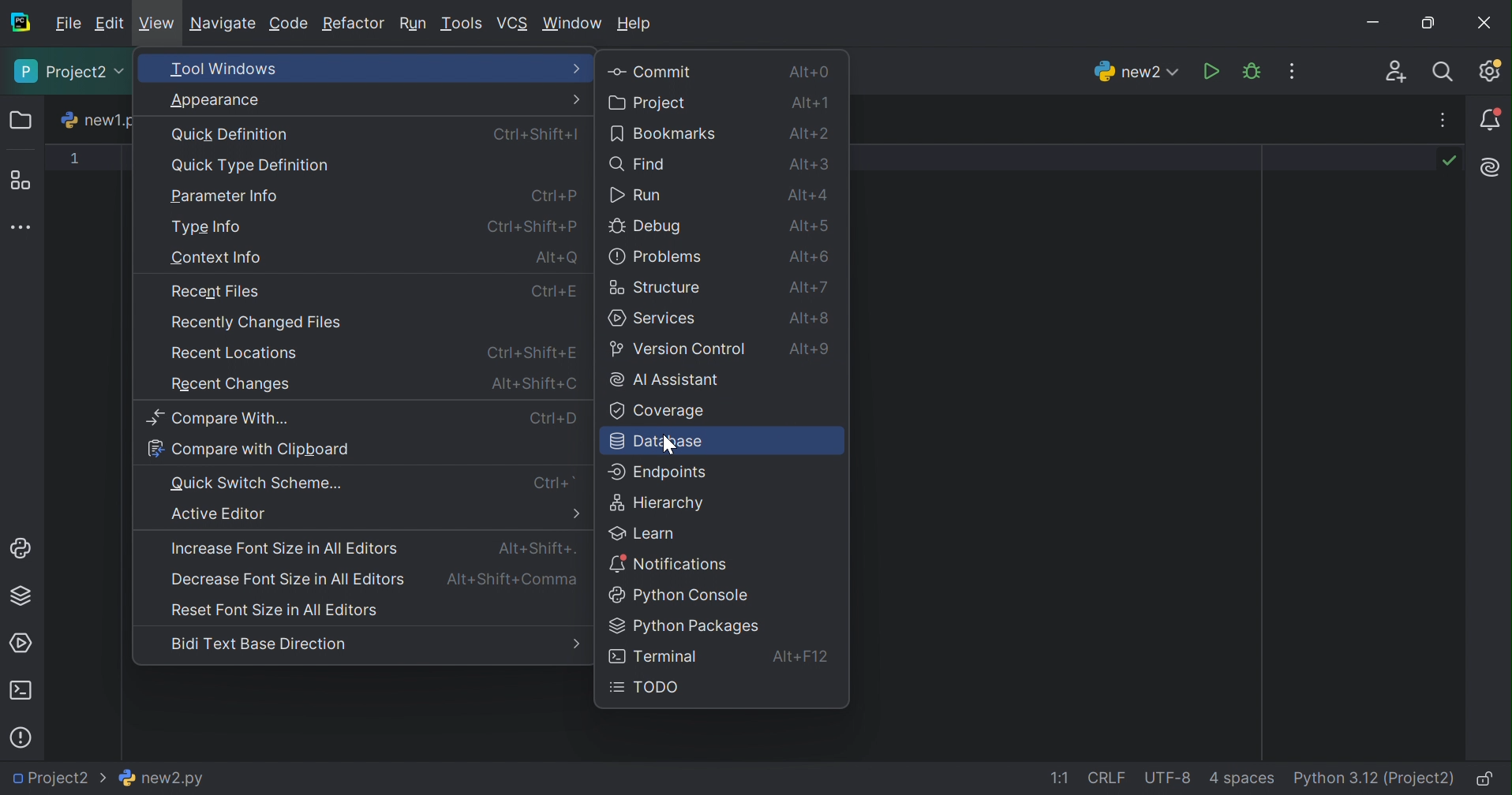  What do you see at coordinates (21, 692) in the screenshot?
I see `Terminal` at bounding box center [21, 692].